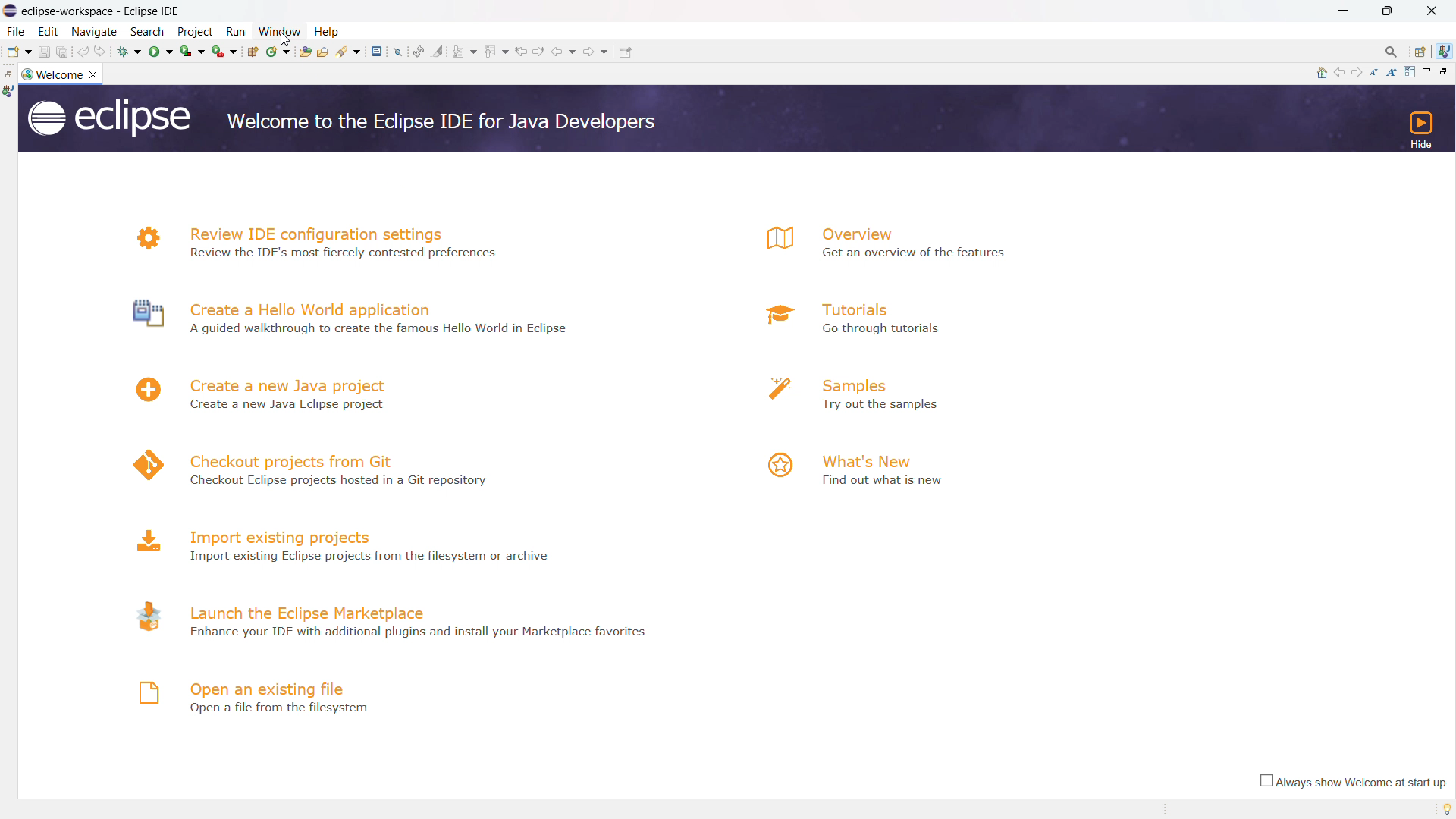 The height and width of the screenshot is (819, 1456). Describe the element at coordinates (349, 256) in the screenshot. I see `N Review the IDE's most fiercely contested preferences` at that location.